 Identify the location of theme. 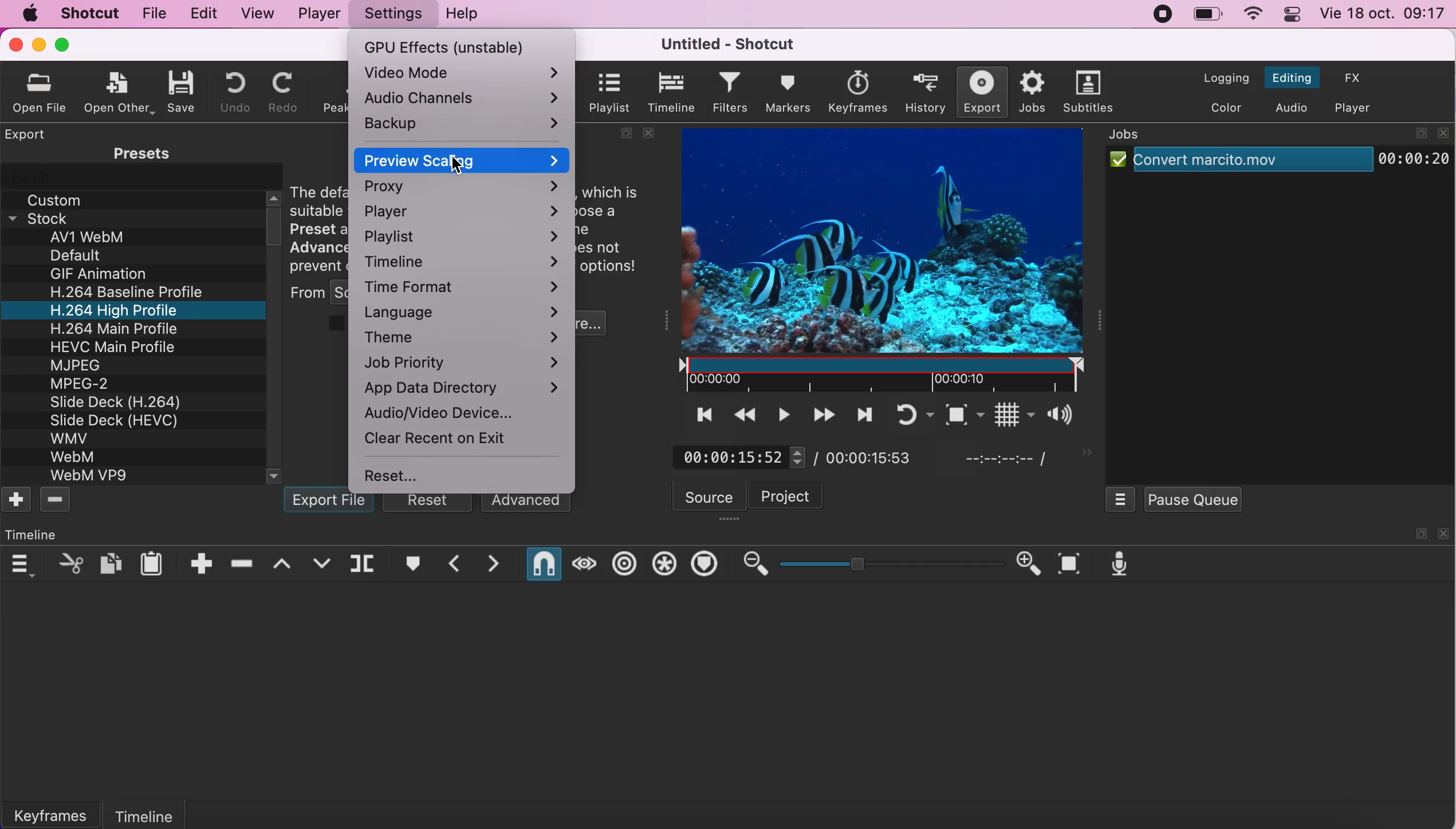
(463, 335).